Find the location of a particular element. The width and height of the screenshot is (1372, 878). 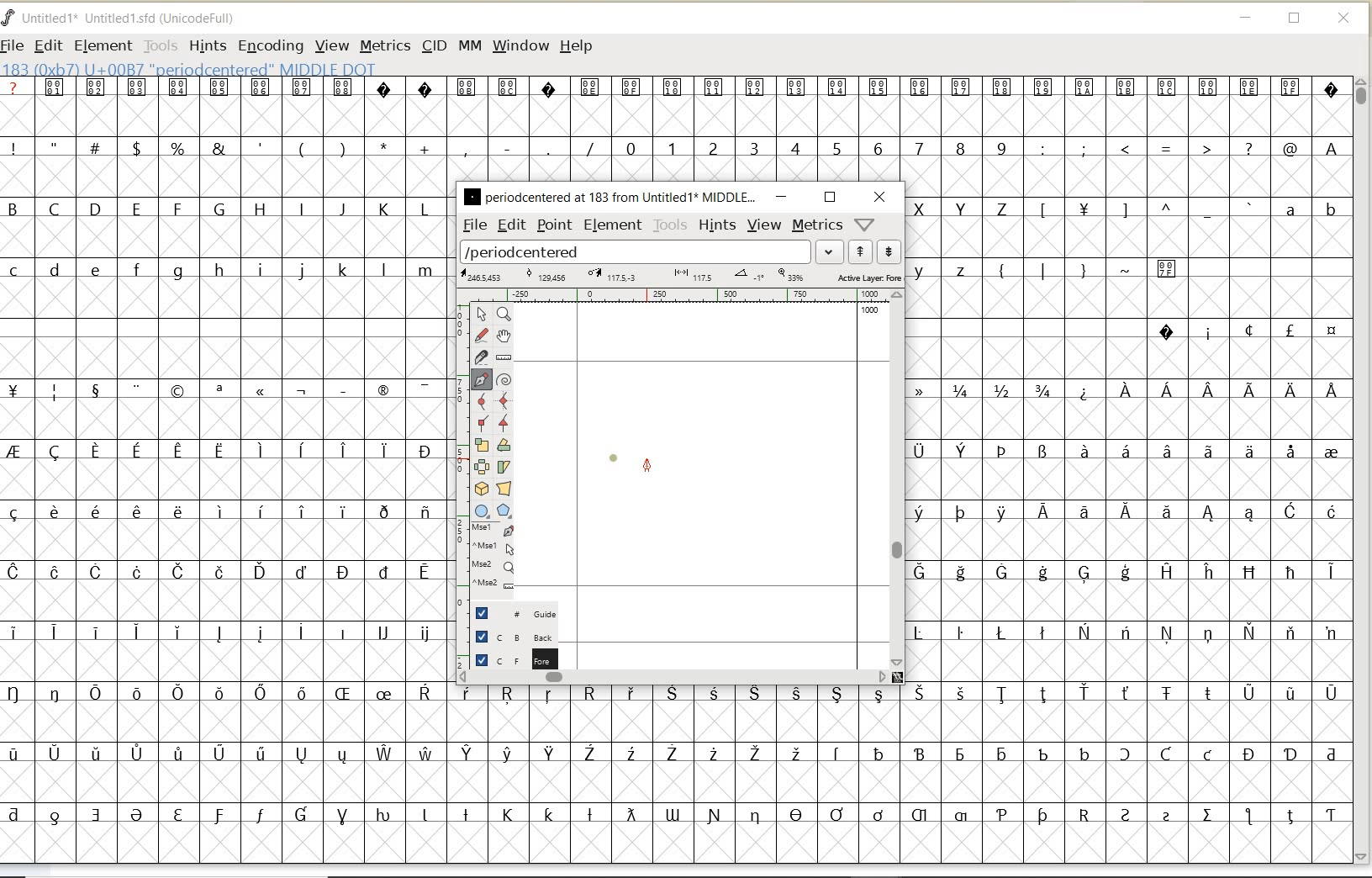

pointer is located at coordinates (481, 315).